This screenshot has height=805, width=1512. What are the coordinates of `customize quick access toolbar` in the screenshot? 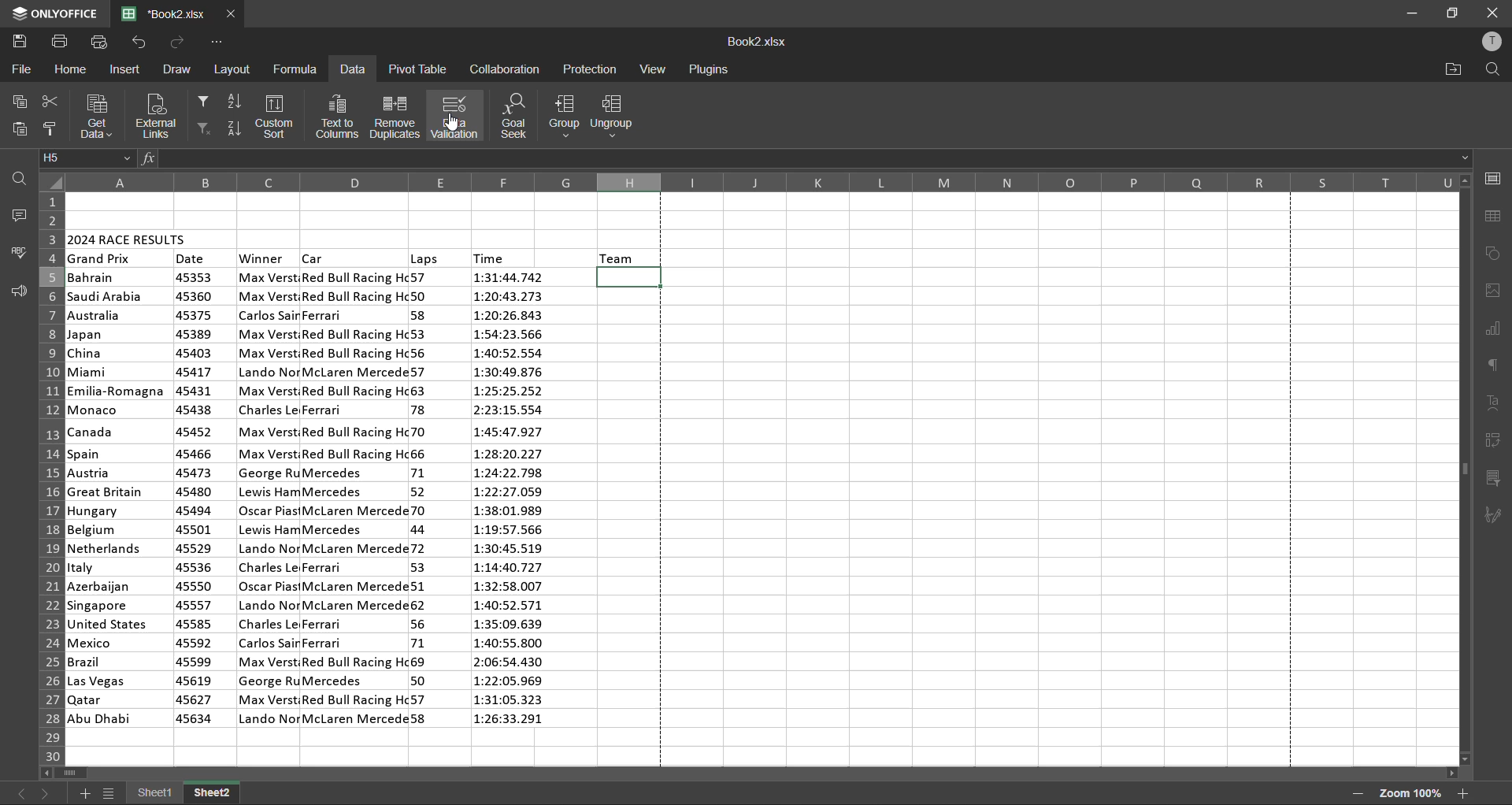 It's located at (215, 43).